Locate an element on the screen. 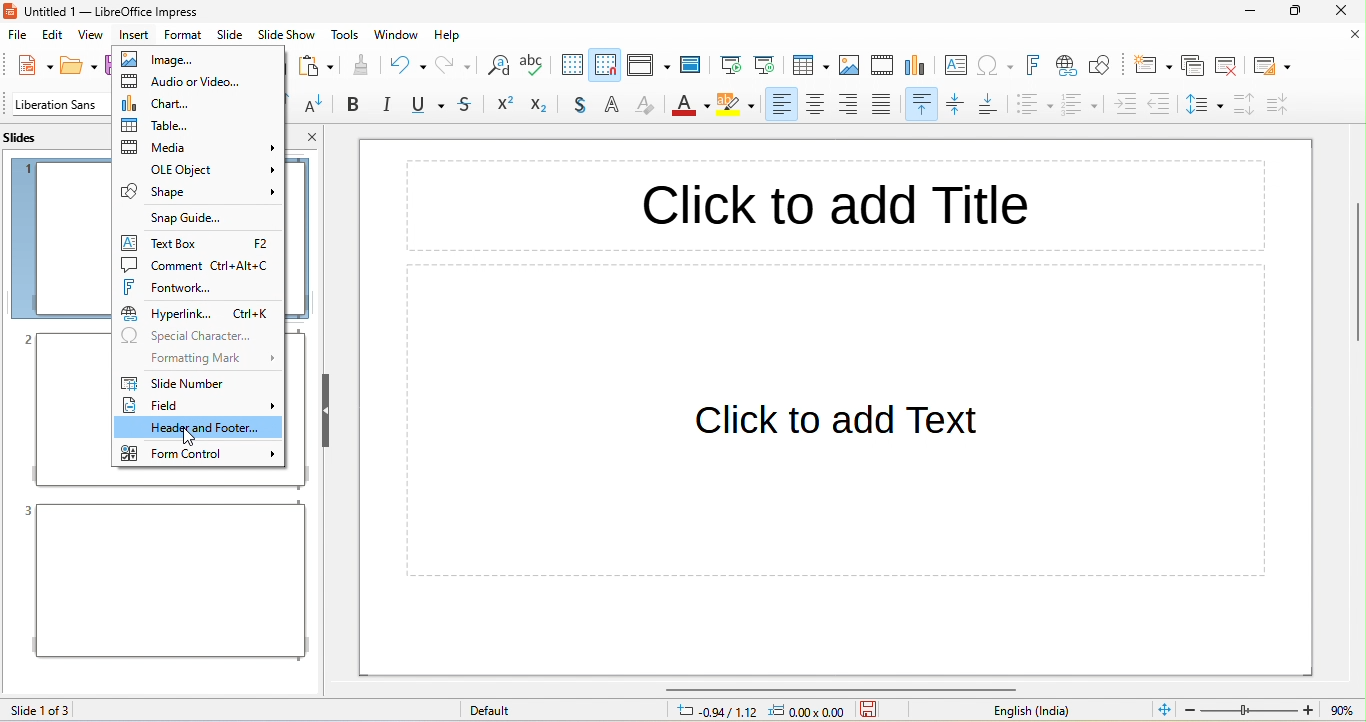 The image size is (1366, 722). Shortcut key is located at coordinates (250, 314).